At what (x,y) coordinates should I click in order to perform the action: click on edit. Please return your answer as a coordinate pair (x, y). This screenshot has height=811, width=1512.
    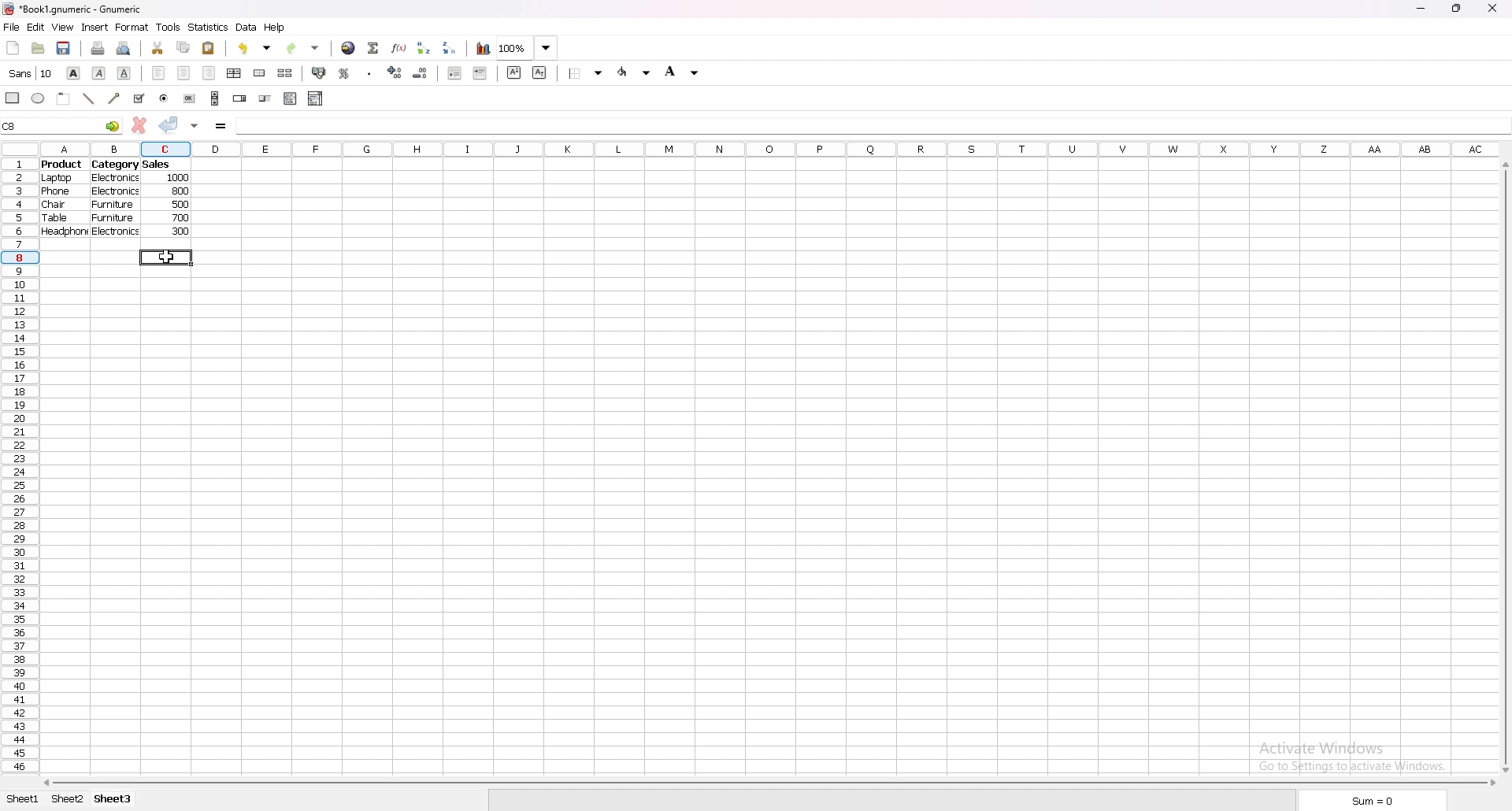
    Looking at the image, I should click on (37, 27).